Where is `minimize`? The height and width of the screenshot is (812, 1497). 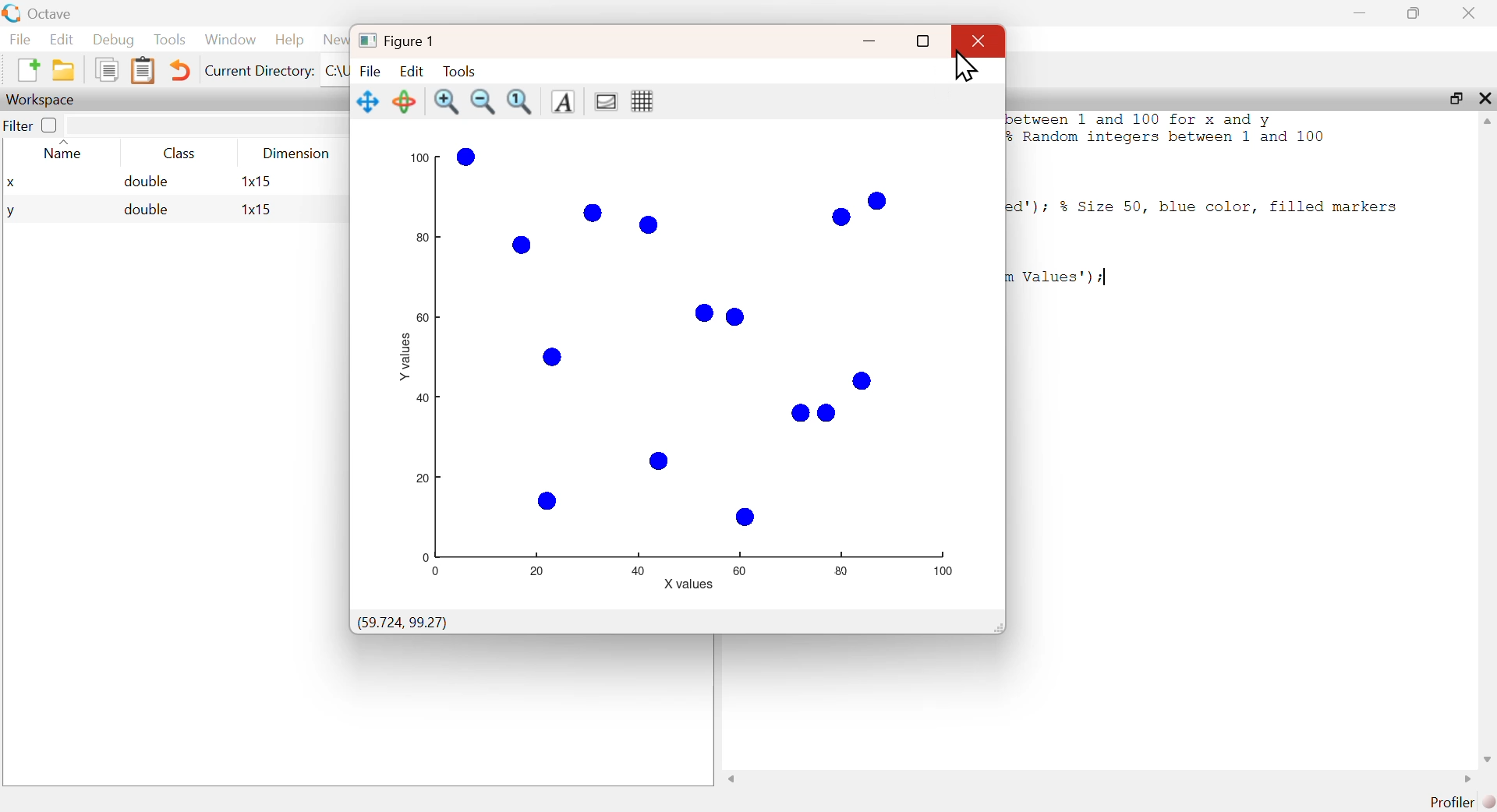 minimize is located at coordinates (866, 41).